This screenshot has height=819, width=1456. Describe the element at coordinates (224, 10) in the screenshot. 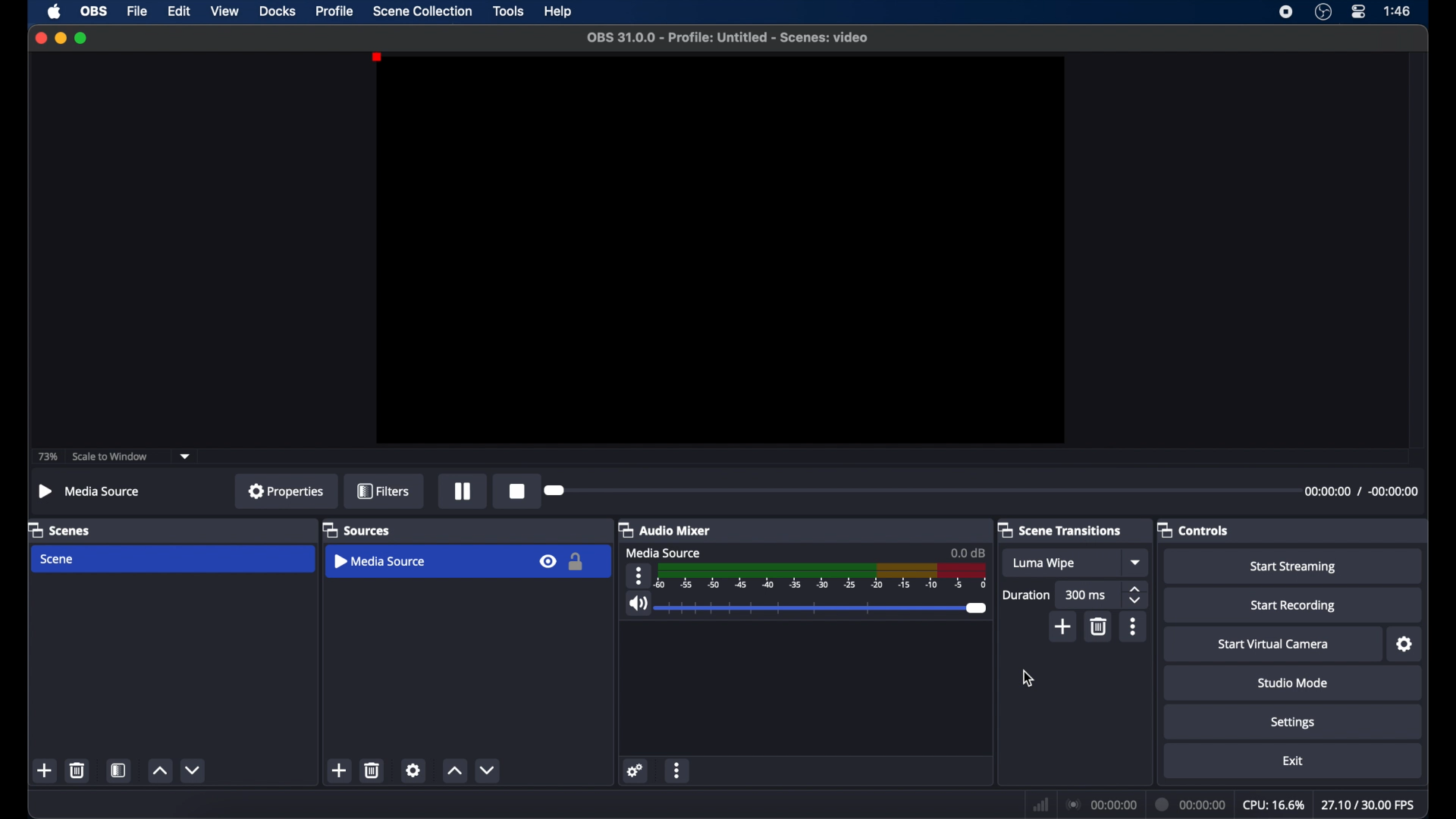

I see `view` at that location.